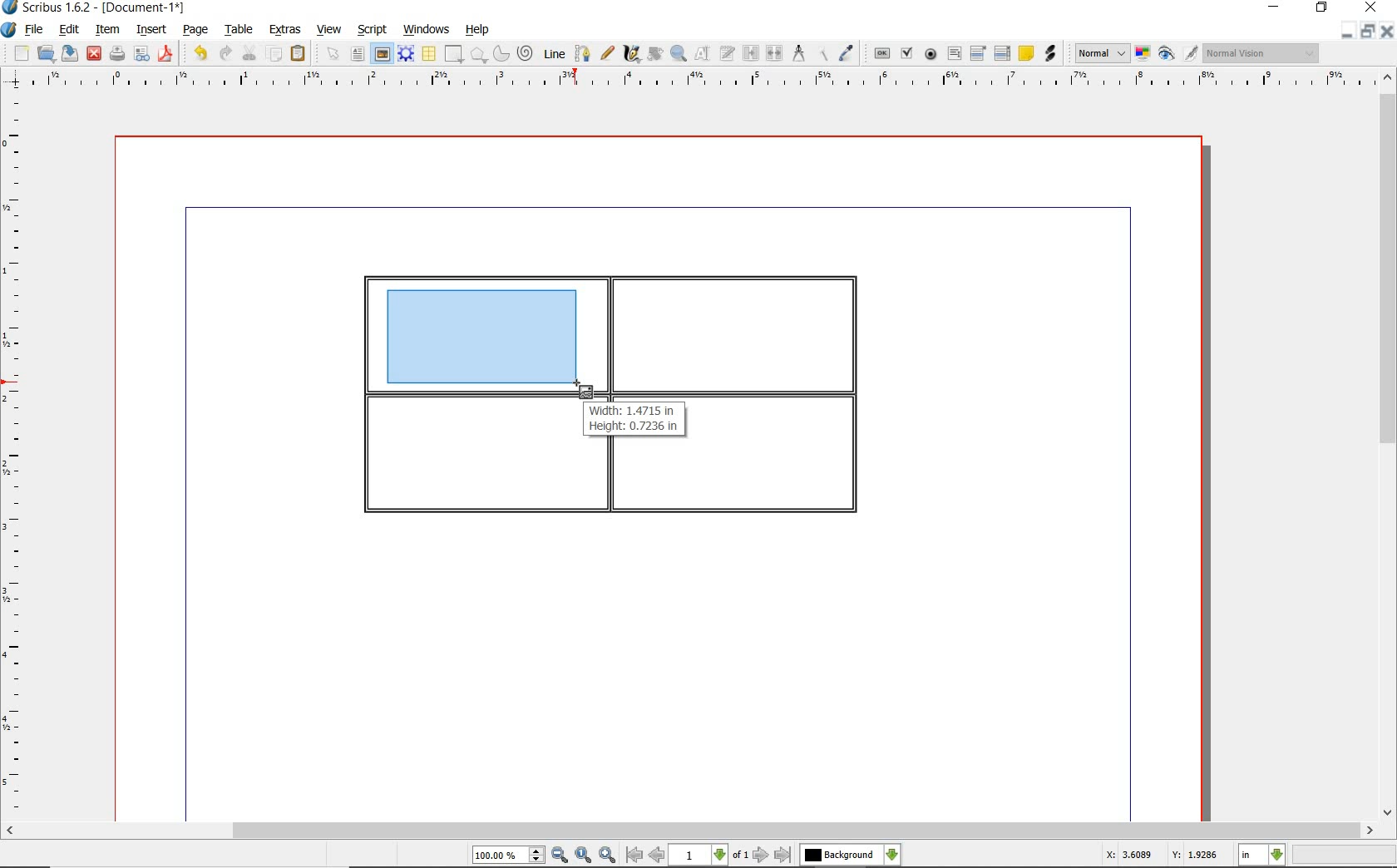 The width and height of the screenshot is (1397, 868). What do you see at coordinates (71, 52) in the screenshot?
I see `save` at bounding box center [71, 52].